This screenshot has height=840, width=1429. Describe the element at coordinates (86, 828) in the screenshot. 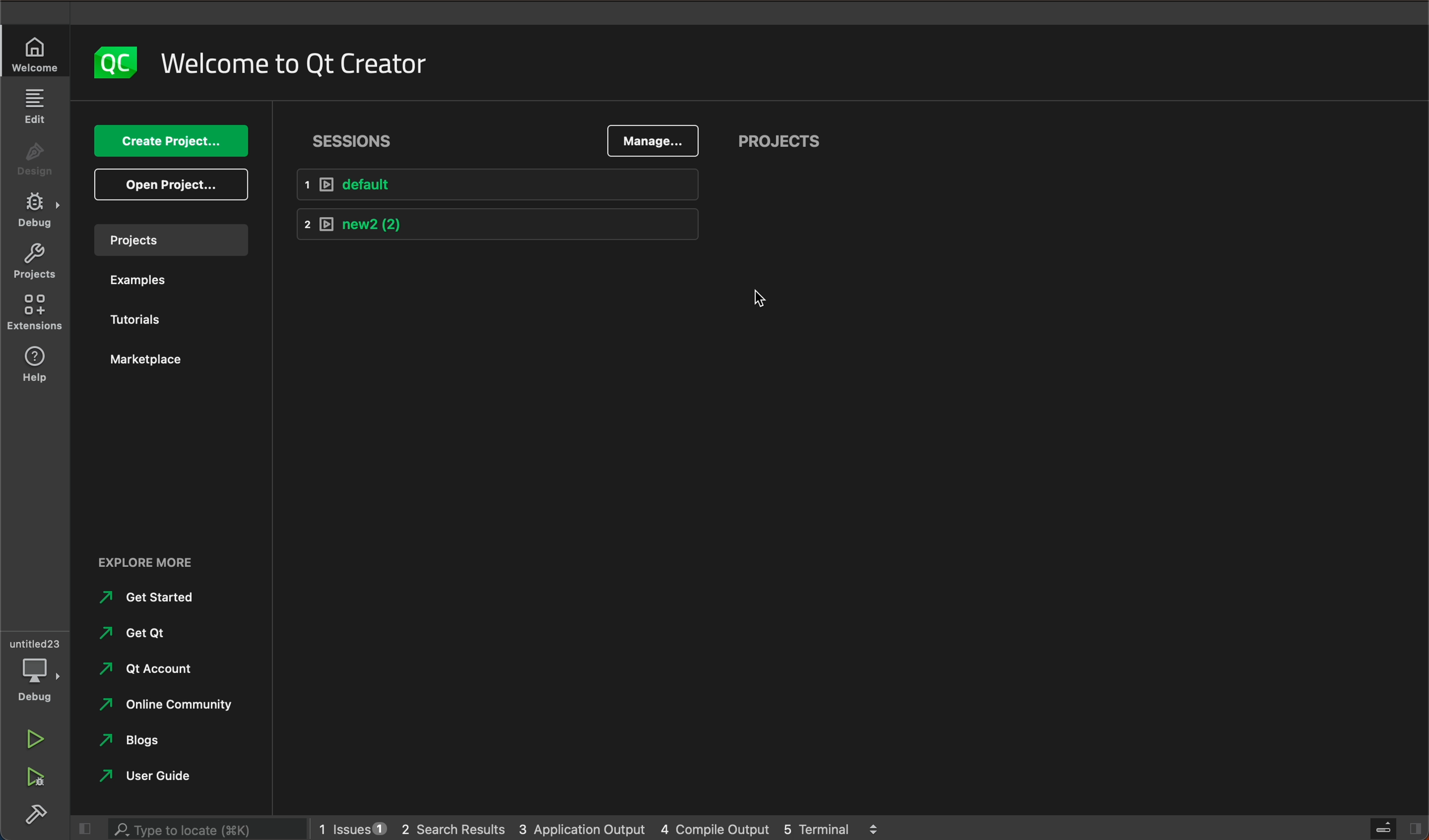

I see `close slide bar` at that location.